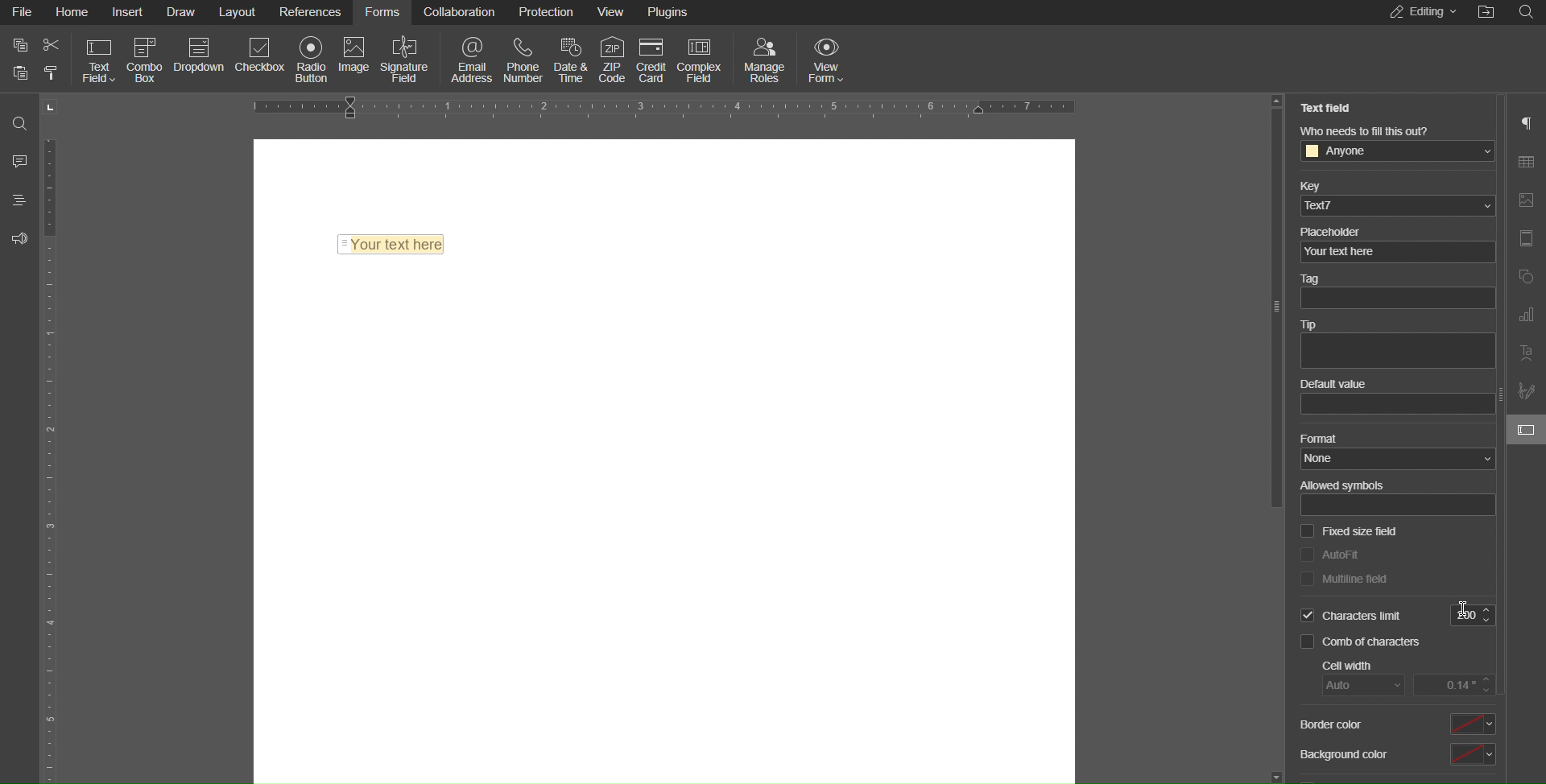  Describe the element at coordinates (186, 13) in the screenshot. I see `Draw` at that location.